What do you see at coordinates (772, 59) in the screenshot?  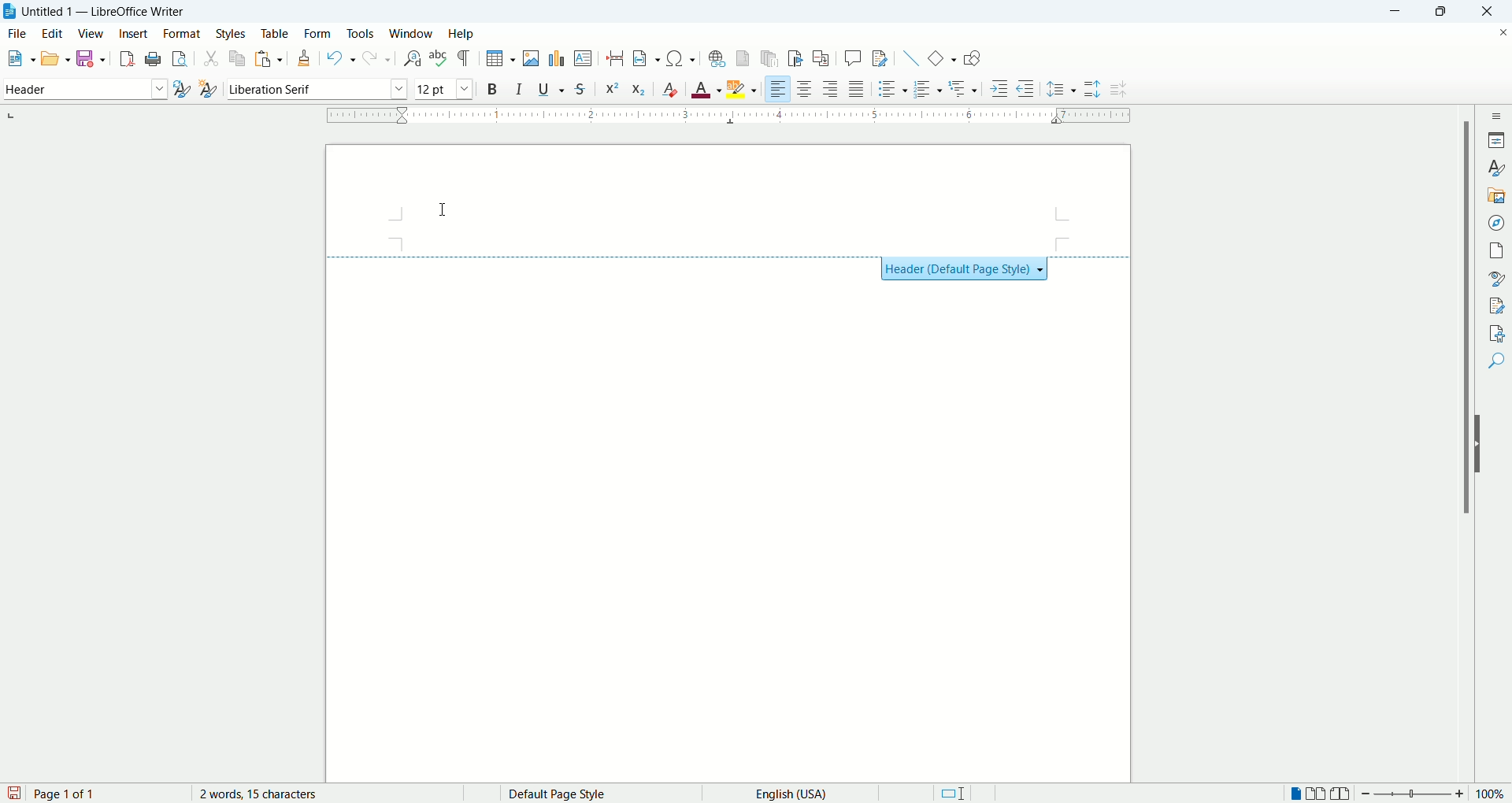 I see `insert endnote` at bounding box center [772, 59].